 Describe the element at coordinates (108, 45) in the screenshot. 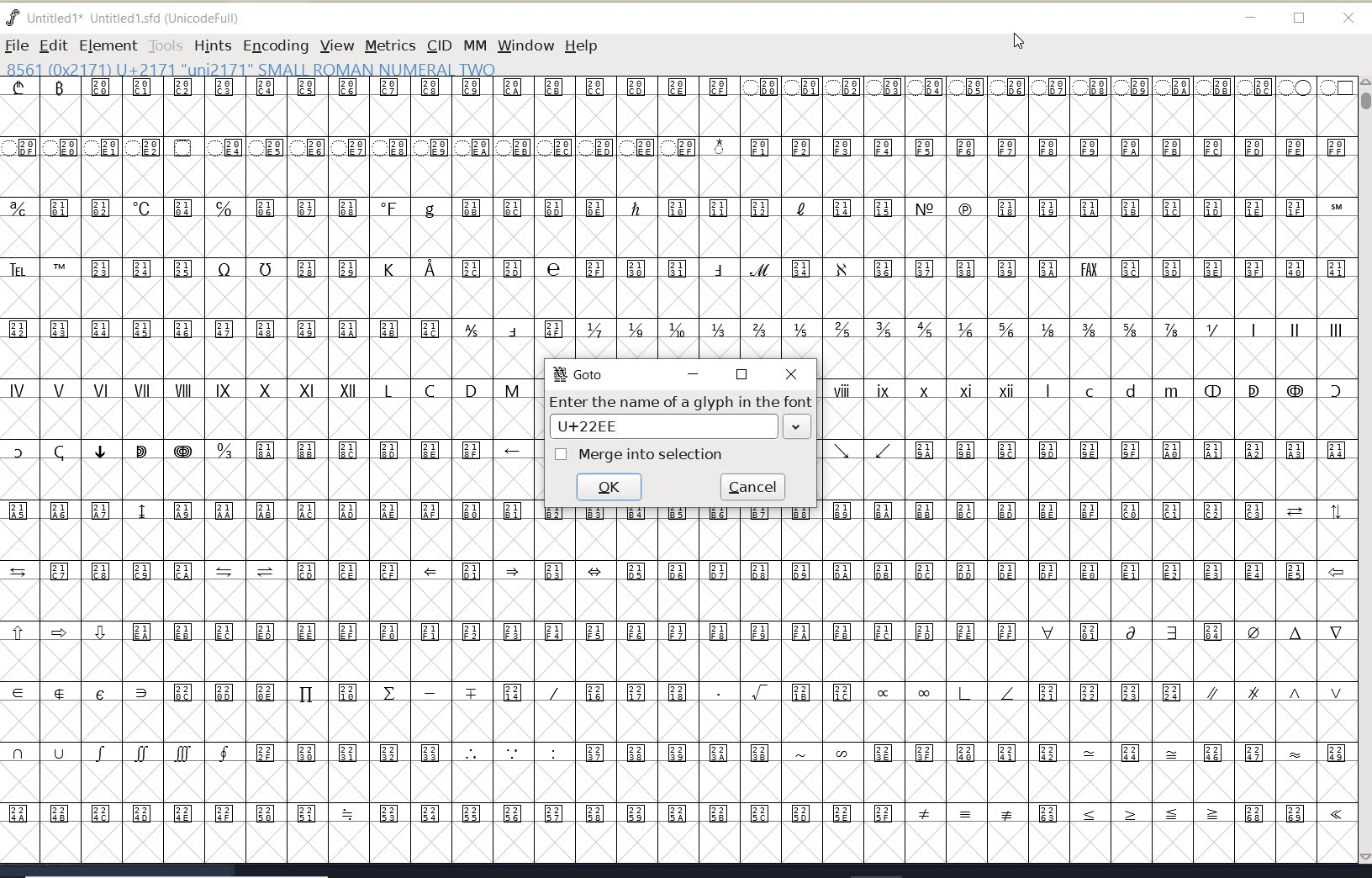

I see `ELEMENT` at that location.